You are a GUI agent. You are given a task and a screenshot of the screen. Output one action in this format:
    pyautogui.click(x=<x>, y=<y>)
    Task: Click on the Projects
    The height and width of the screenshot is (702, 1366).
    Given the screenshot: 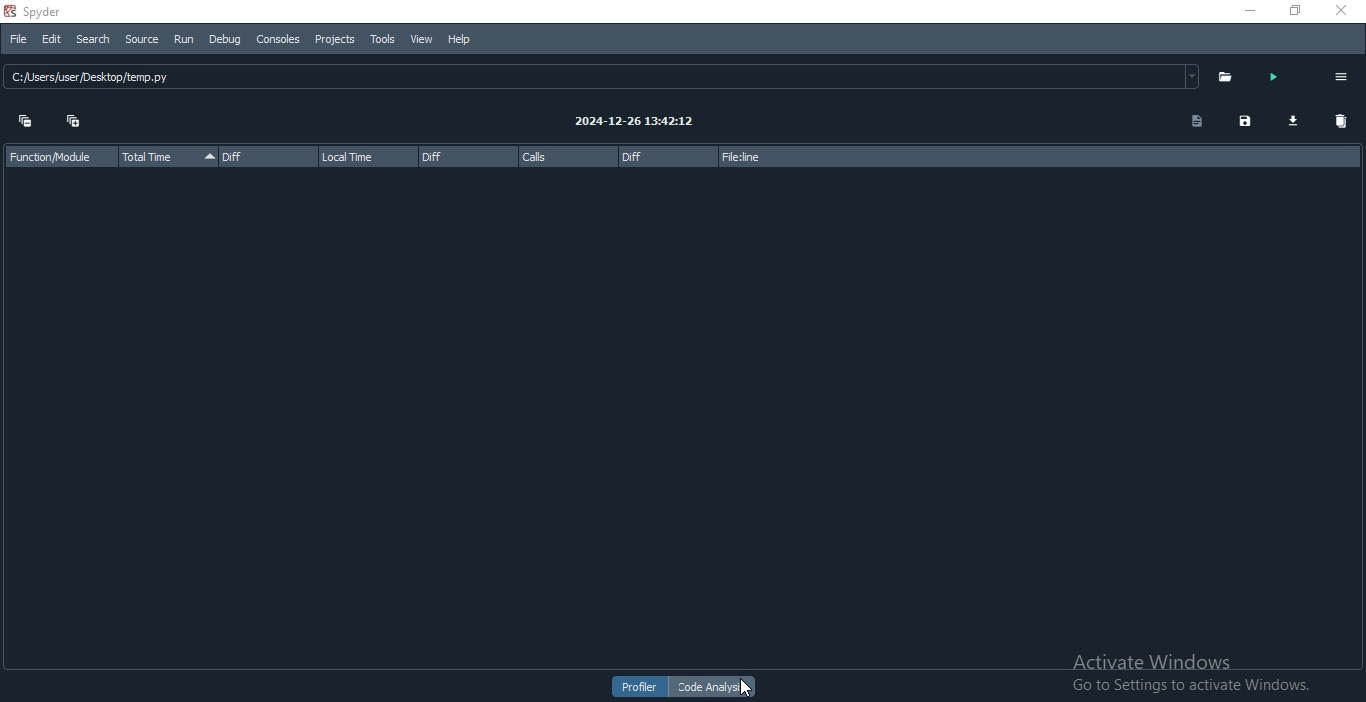 What is the action you would take?
    pyautogui.click(x=333, y=39)
    